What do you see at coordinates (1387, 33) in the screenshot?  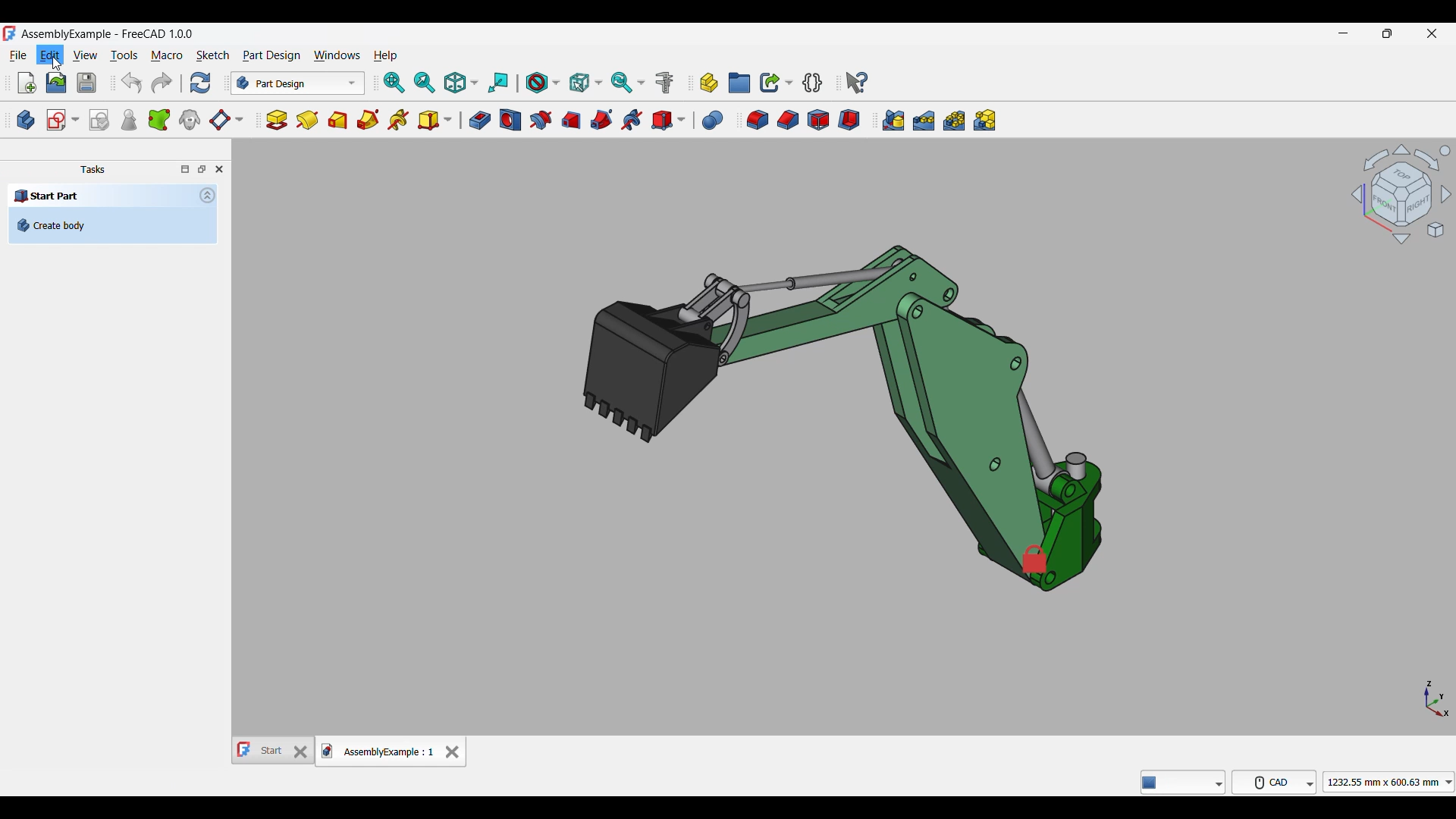 I see `Show in smaller tab` at bounding box center [1387, 33].